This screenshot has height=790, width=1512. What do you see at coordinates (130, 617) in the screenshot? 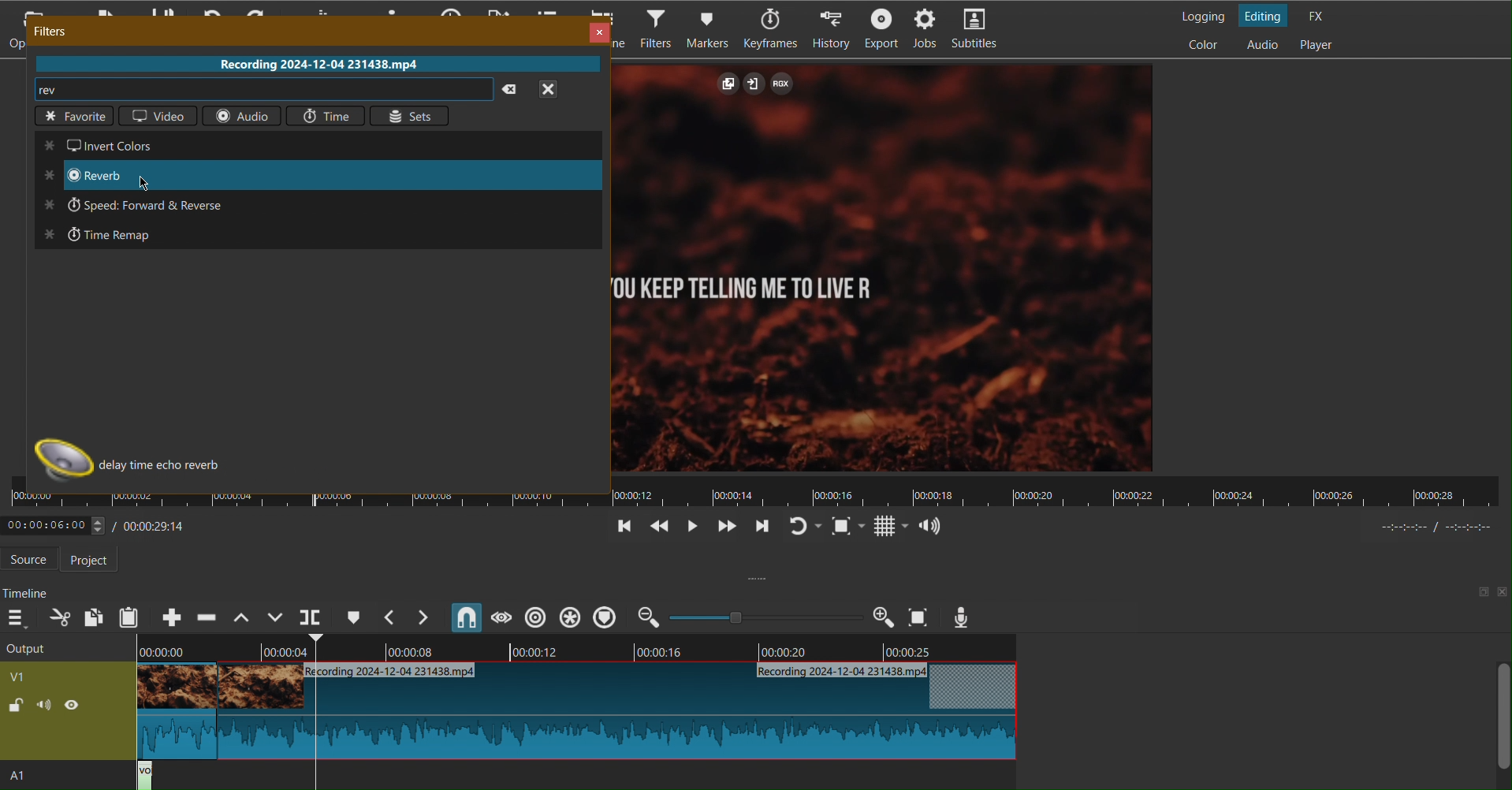
I see `Paste` at bounding box center [130, 617].